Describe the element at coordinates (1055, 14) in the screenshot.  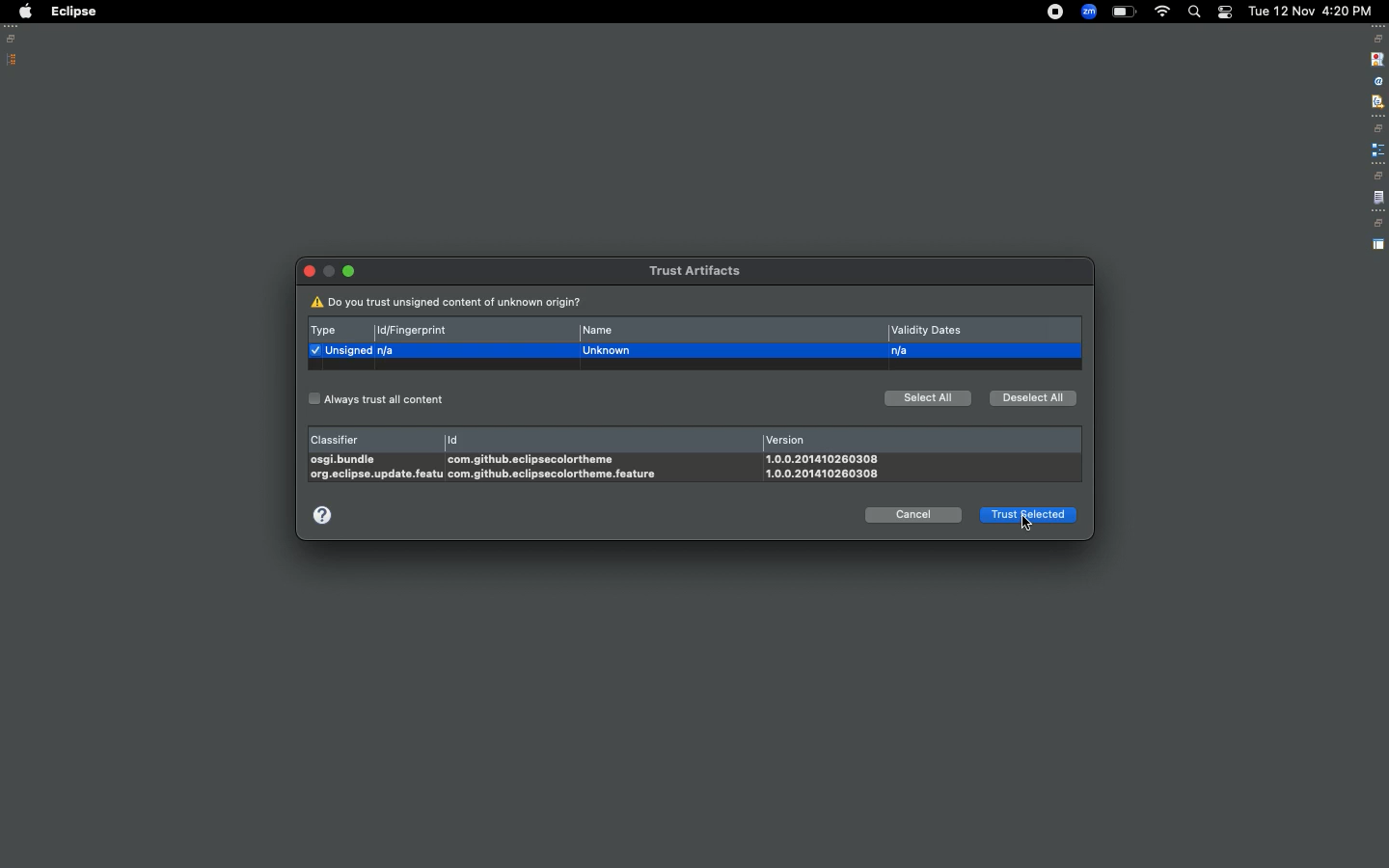
I see `Recording` at that location.